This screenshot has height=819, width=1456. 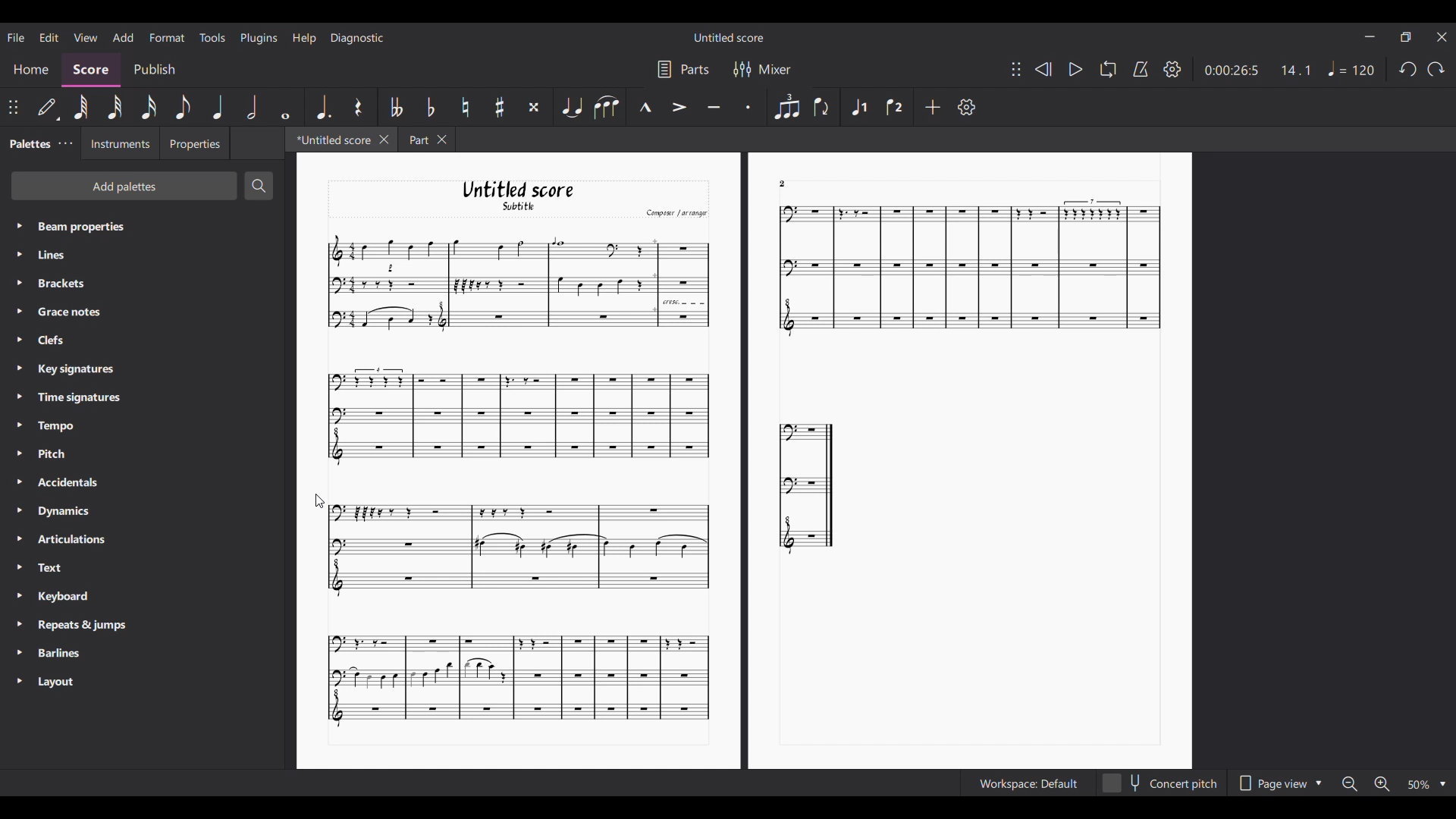 I want to click on > Articulations, so click(x=65, y=543).